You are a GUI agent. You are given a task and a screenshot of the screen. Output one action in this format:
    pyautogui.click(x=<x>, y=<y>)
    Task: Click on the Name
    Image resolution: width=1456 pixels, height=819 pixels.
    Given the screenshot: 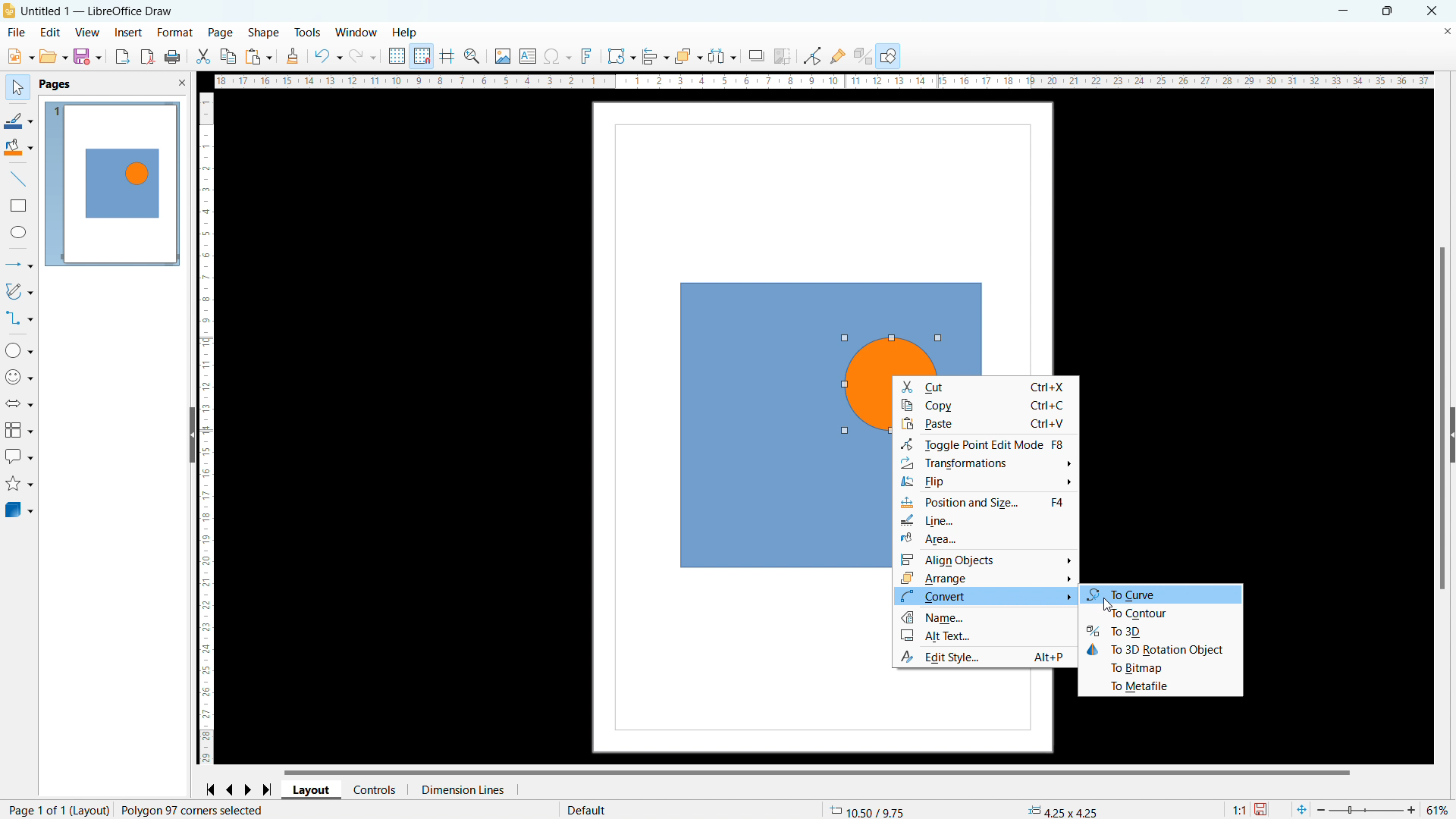 What is the action you would take?
    pyautogui.click(x=934, y=617)
    